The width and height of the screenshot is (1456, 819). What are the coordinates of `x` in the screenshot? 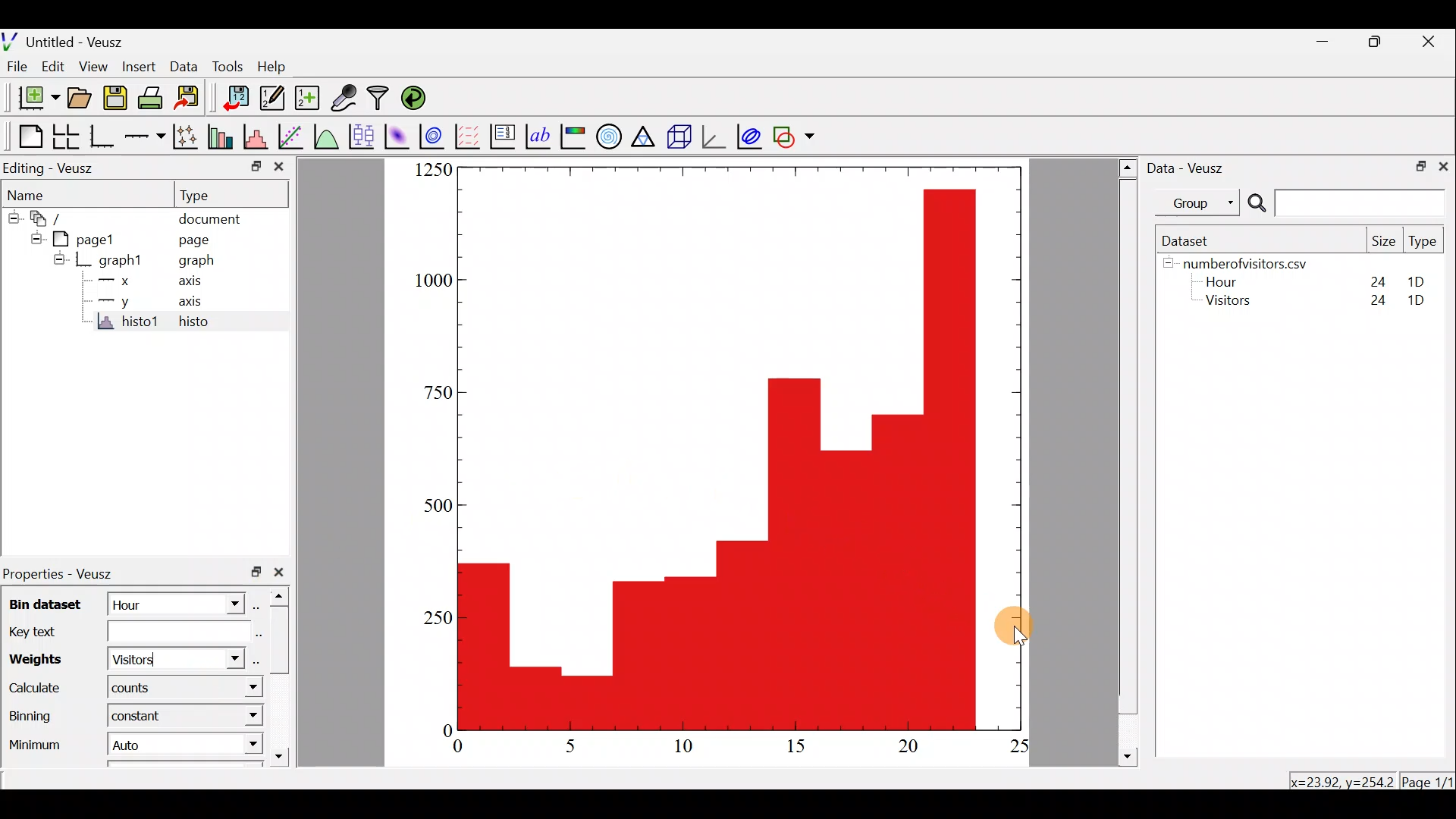 It's located at (124, 280).